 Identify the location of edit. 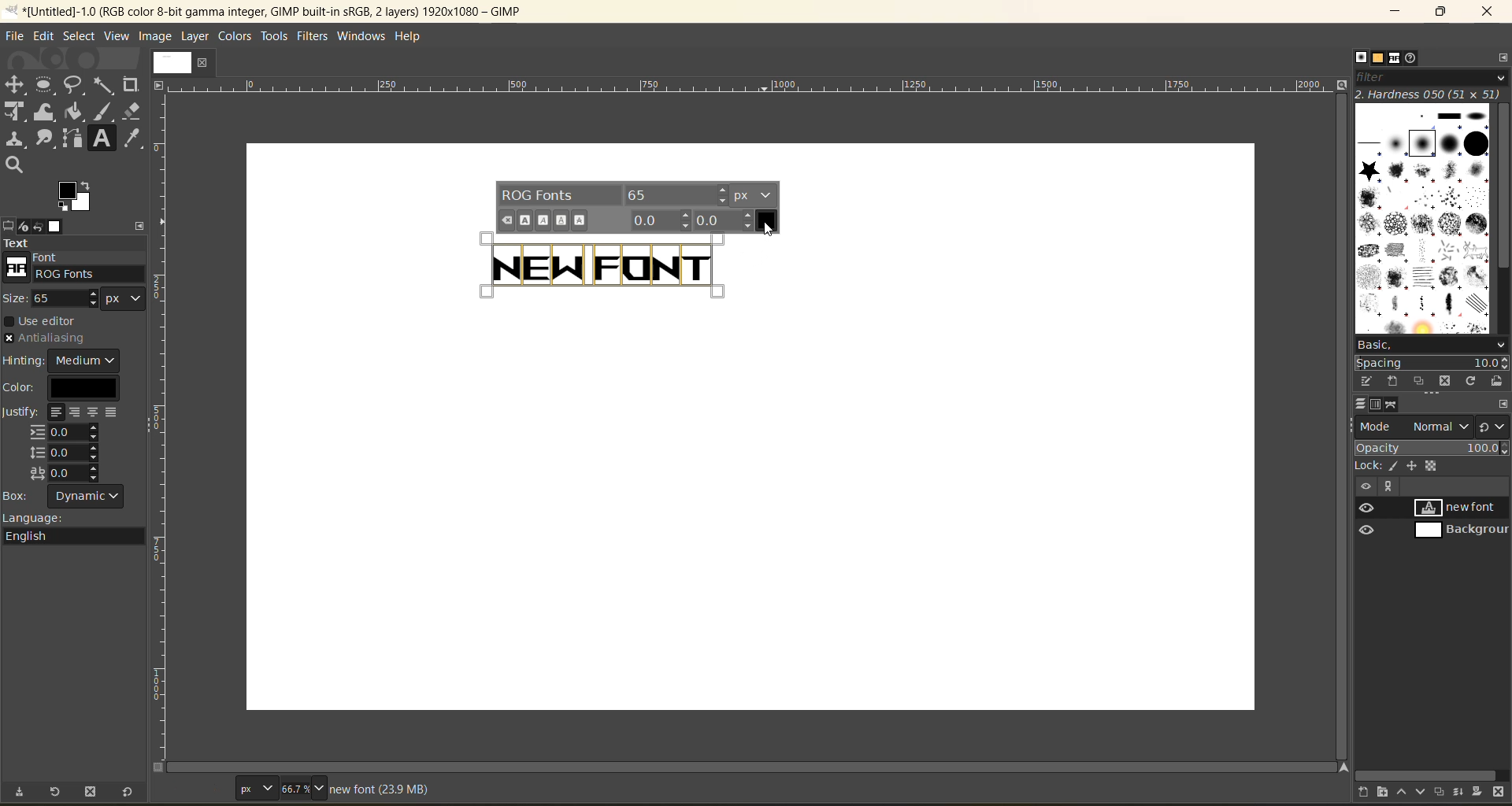
(41, 35).